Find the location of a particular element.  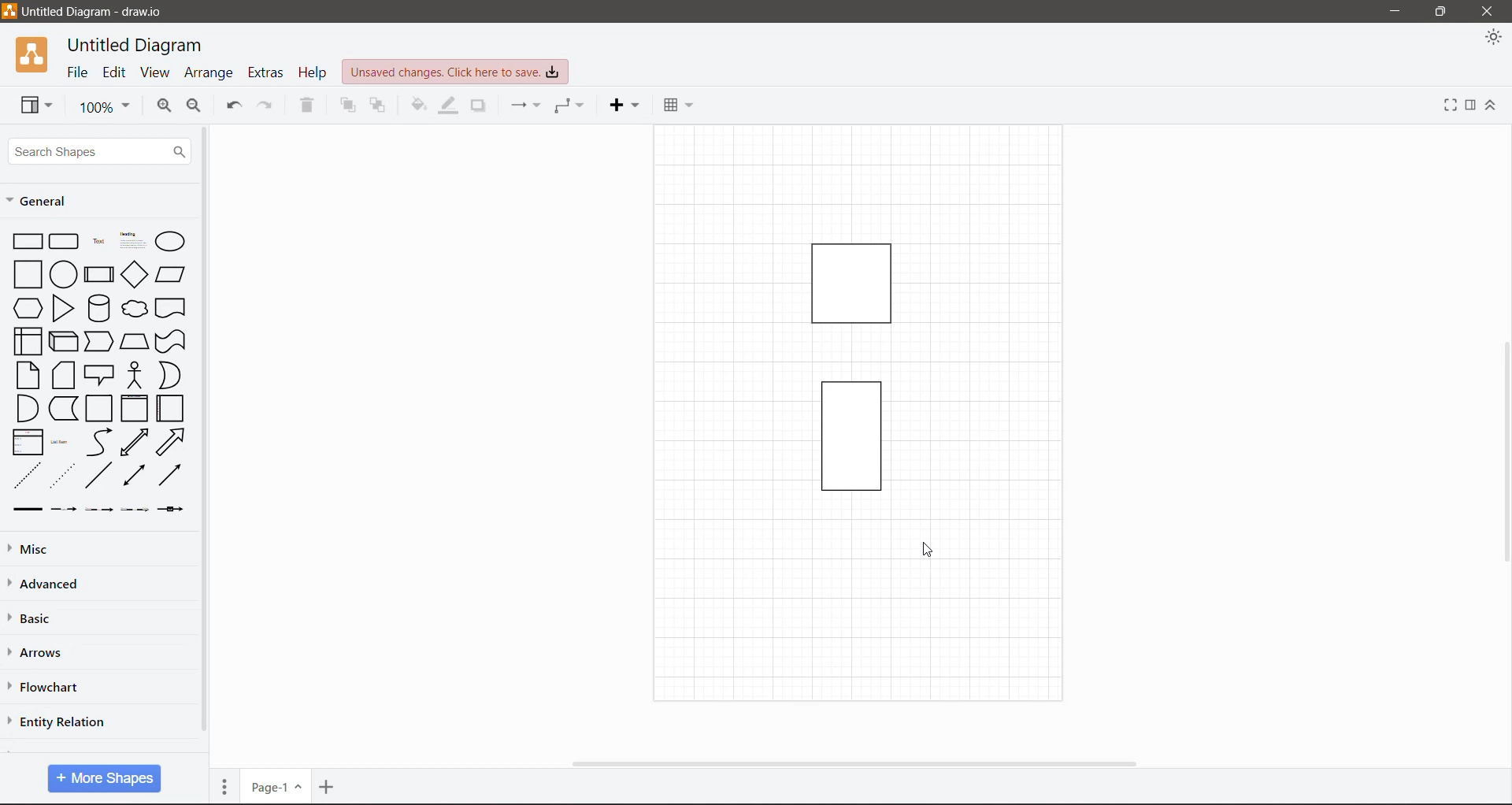

To Back is located at coordinates (376, 106).